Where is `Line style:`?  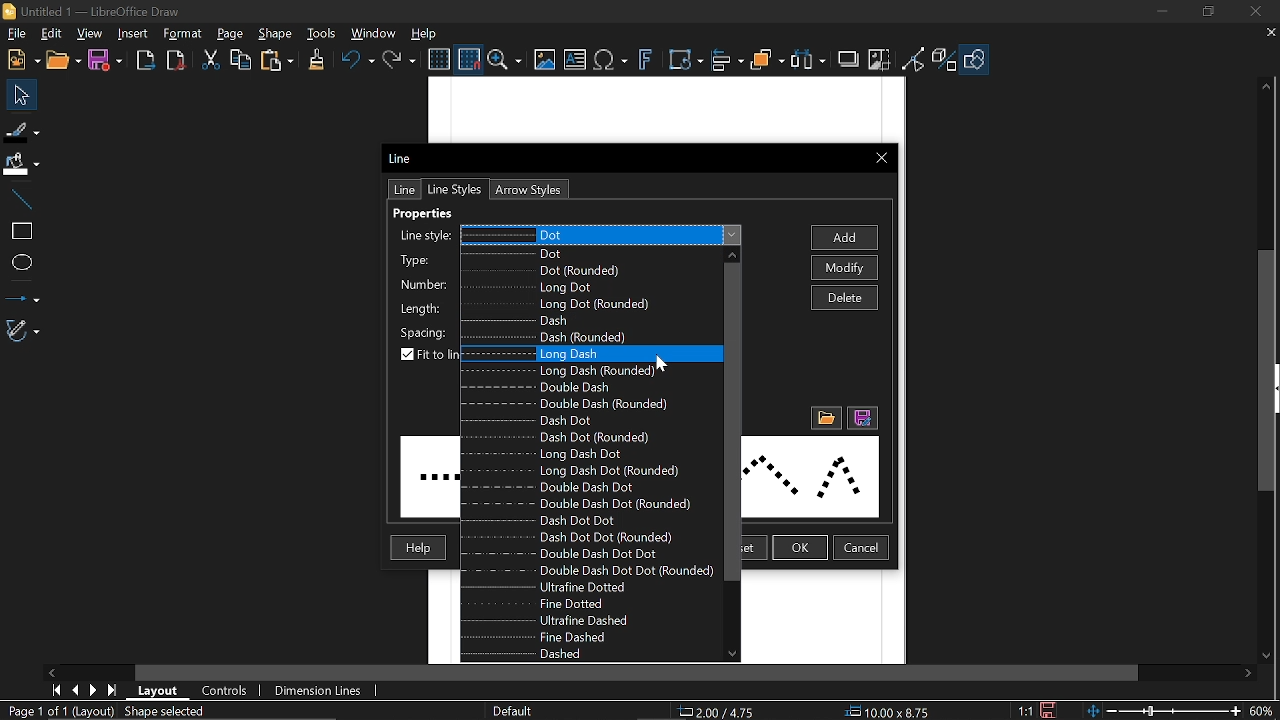 Line style: is located at coordinates (424, 236).